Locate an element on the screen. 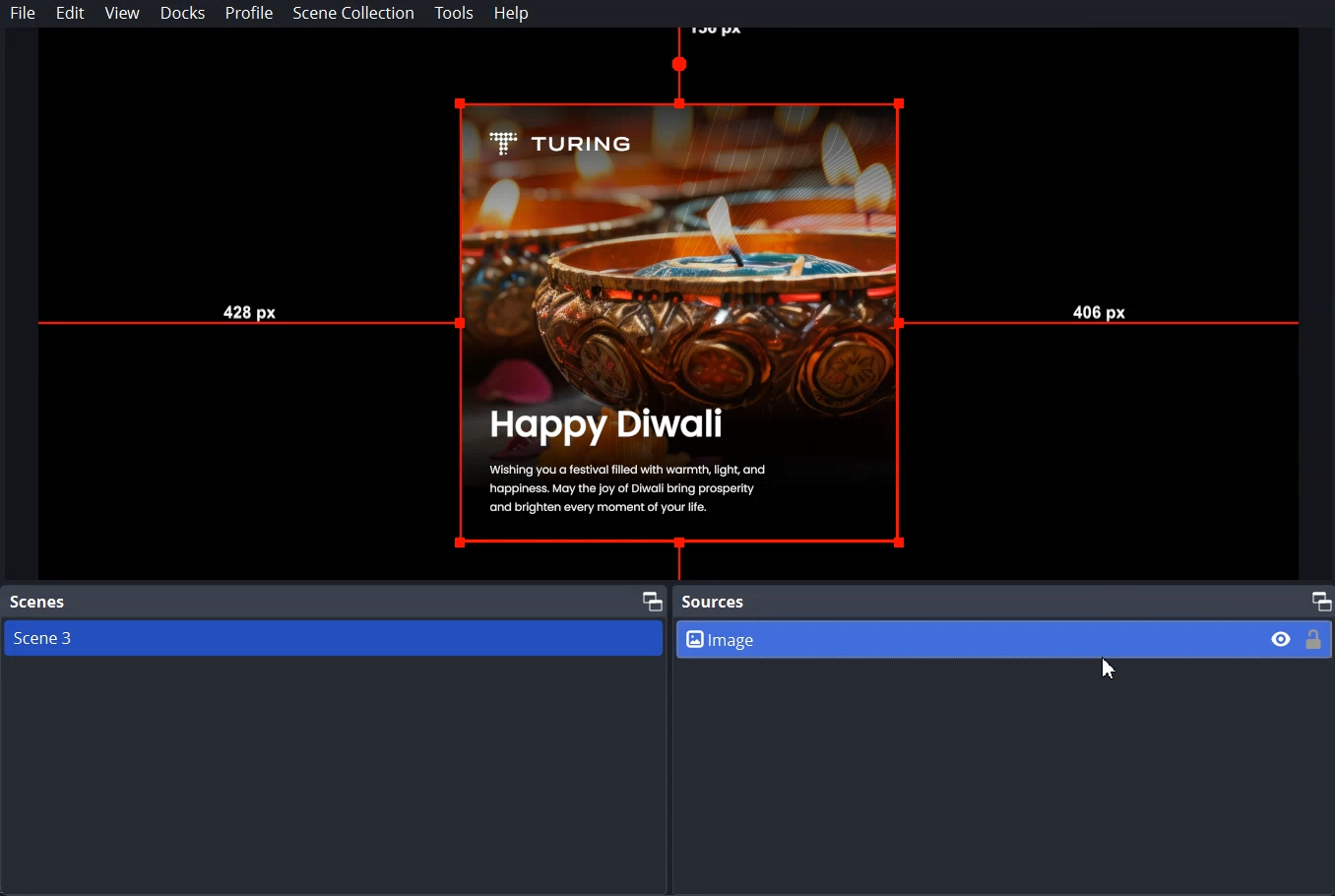  Text is located at coordinates (38, 603).